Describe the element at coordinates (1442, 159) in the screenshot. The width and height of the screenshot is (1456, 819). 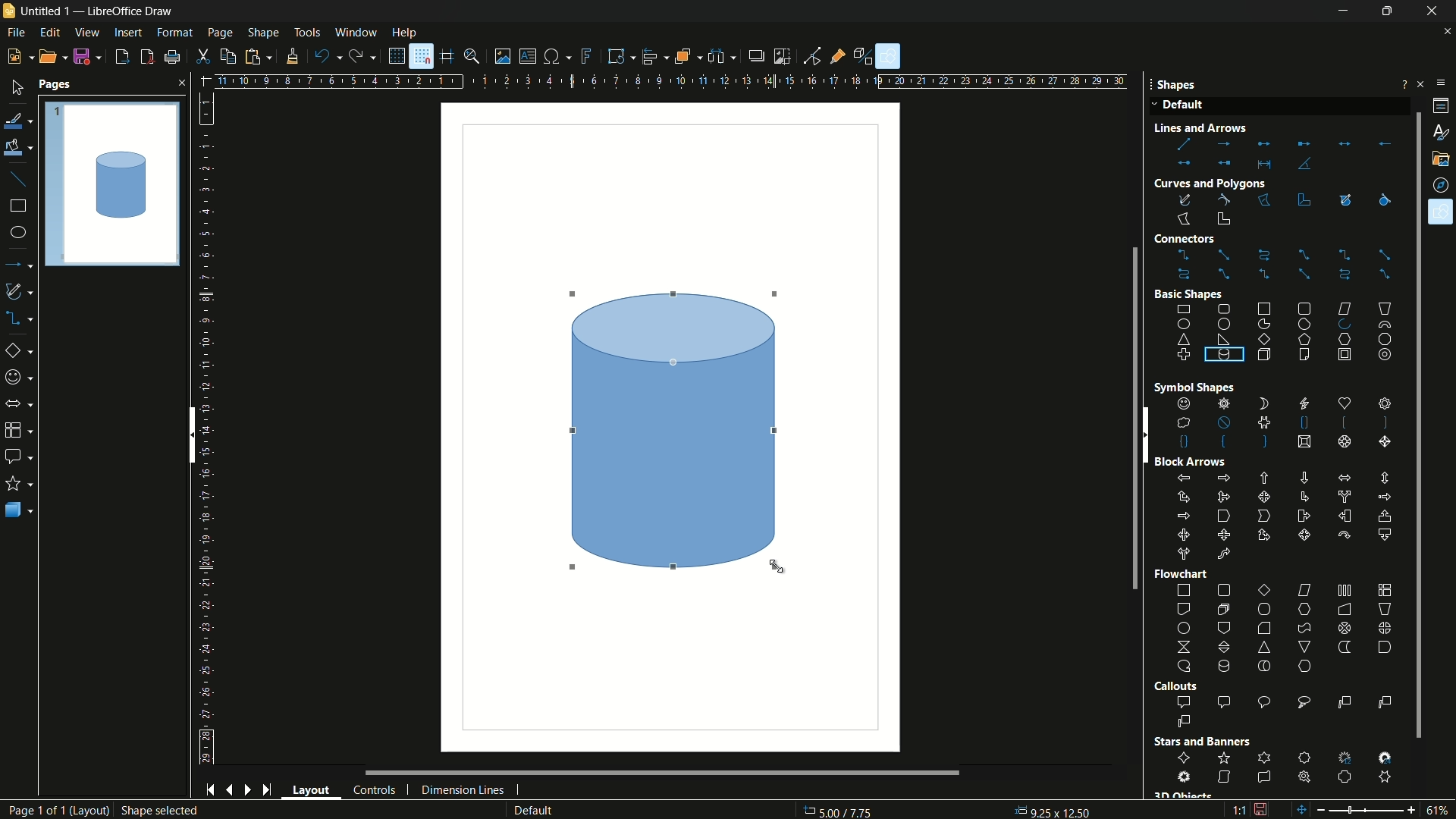
I see `gallery` at that location.